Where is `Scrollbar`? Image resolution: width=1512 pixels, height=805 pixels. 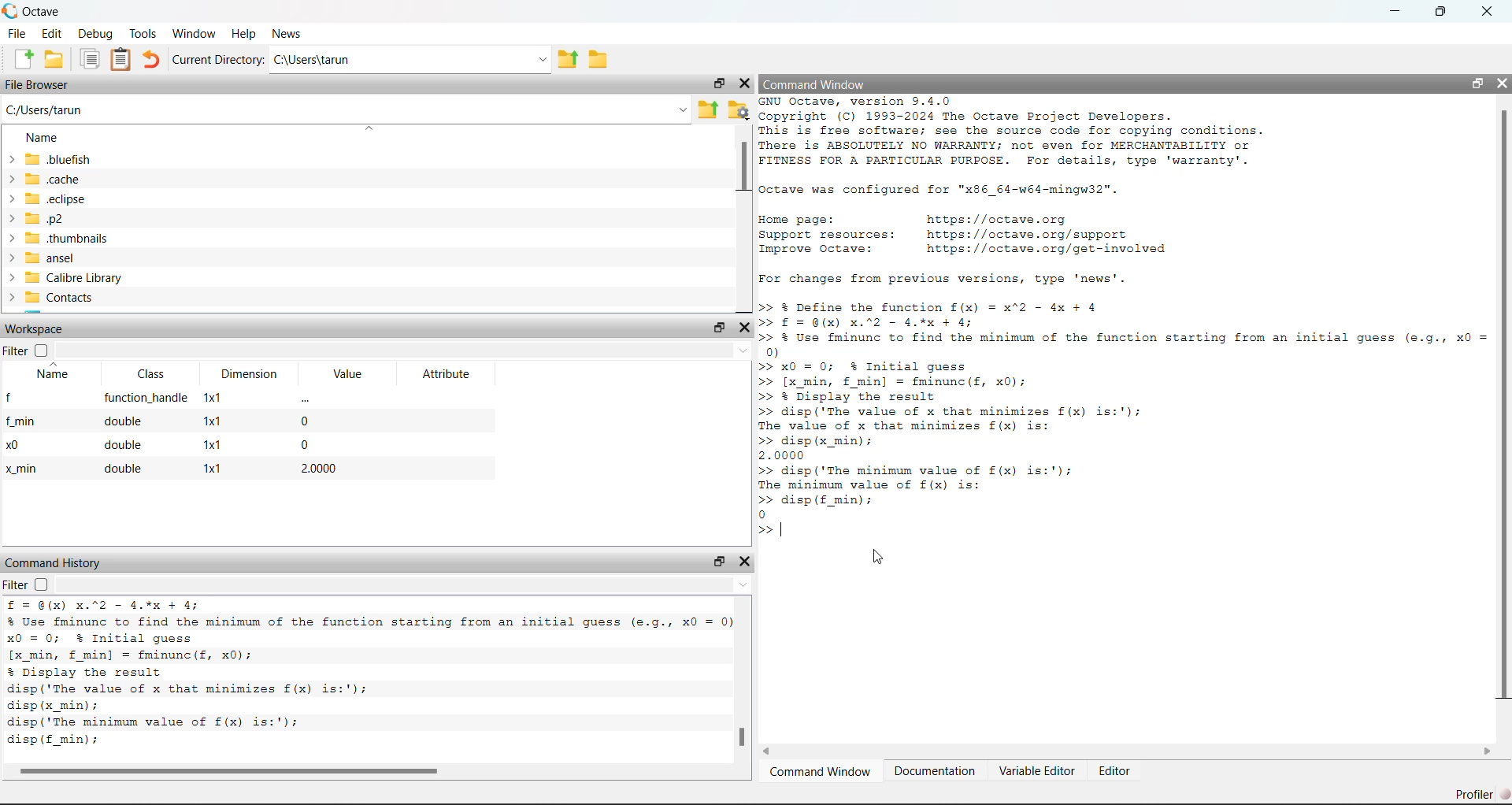
Scrollbar is located at coordinates (241, 769).